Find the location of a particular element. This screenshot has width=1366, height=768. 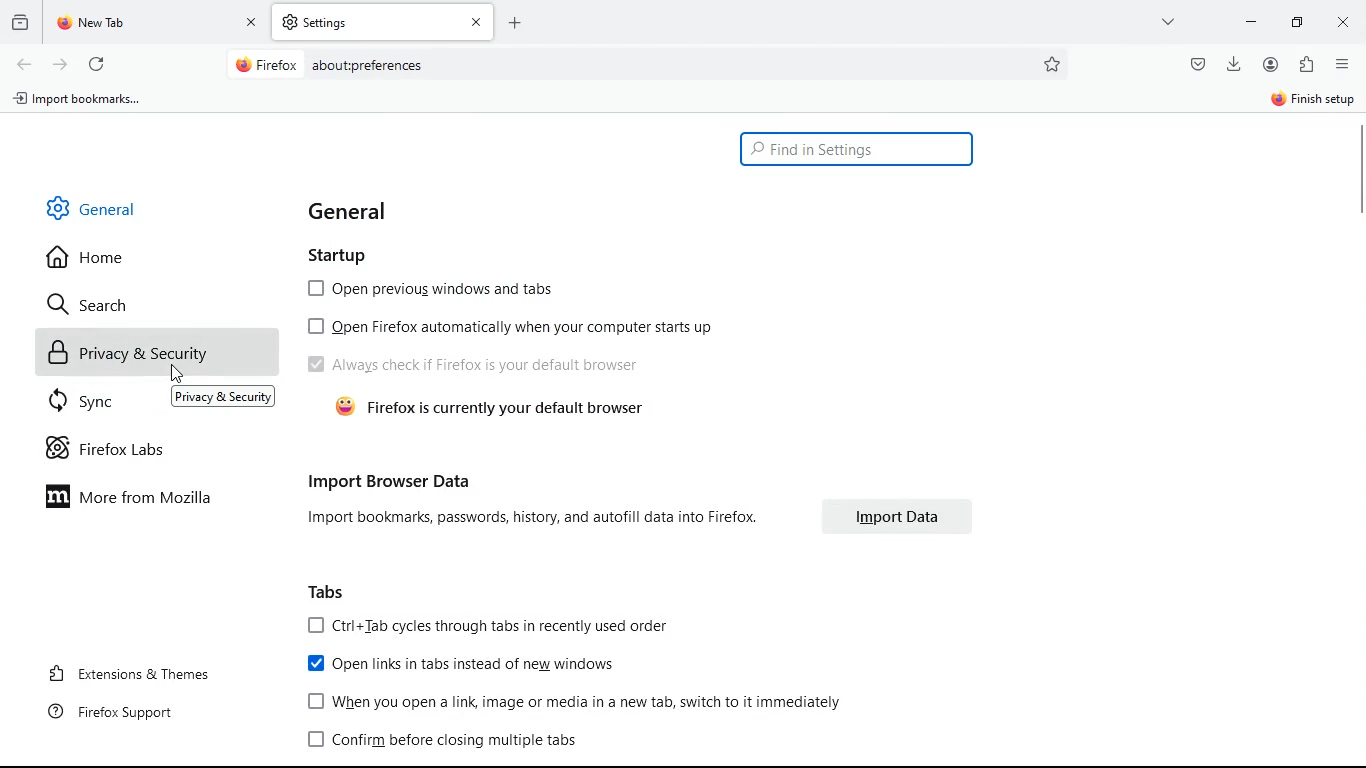

scroll bar is located at coordinates (1357, 170).